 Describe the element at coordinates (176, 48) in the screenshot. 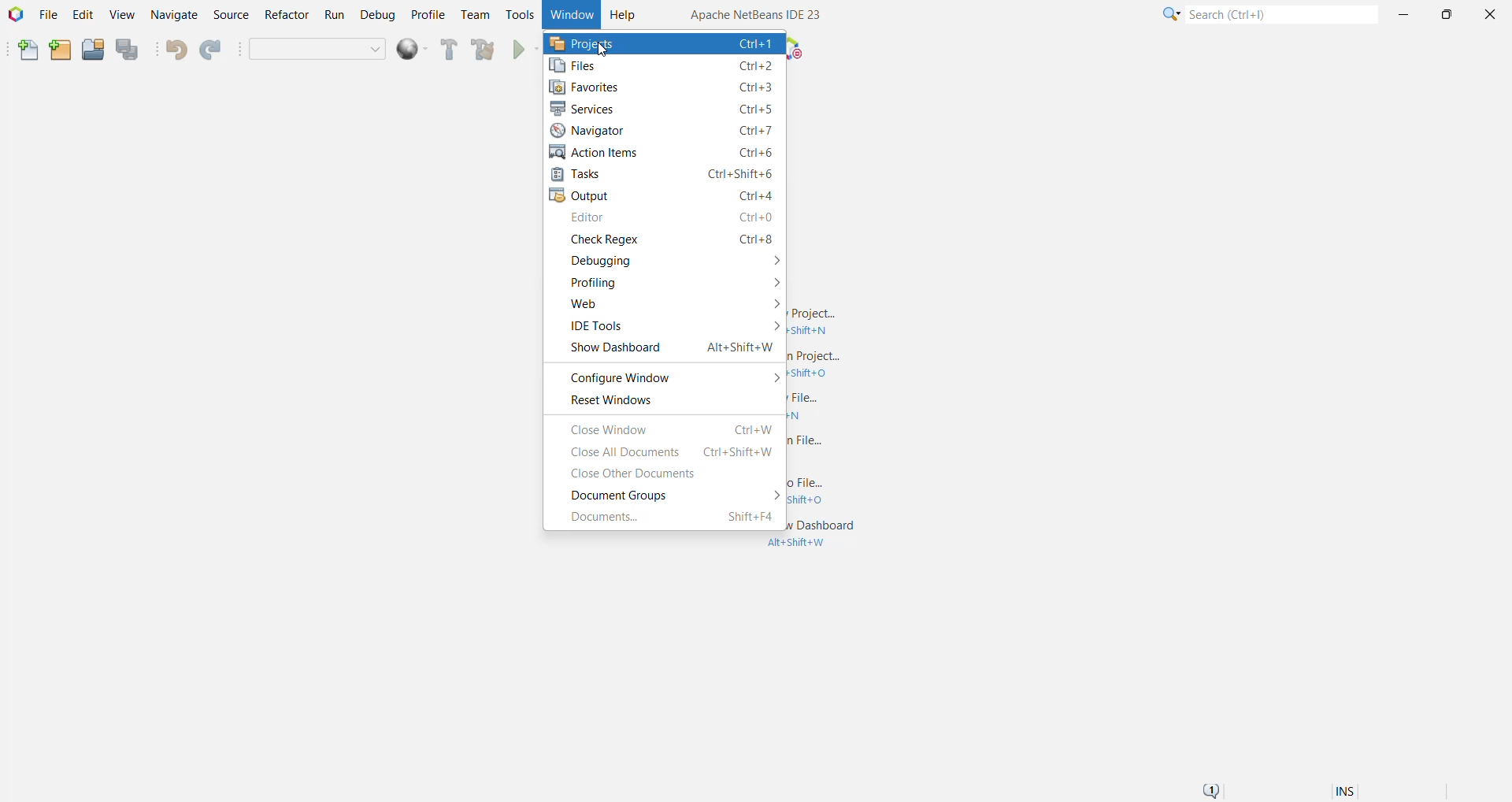

I see `Undo` at that location.